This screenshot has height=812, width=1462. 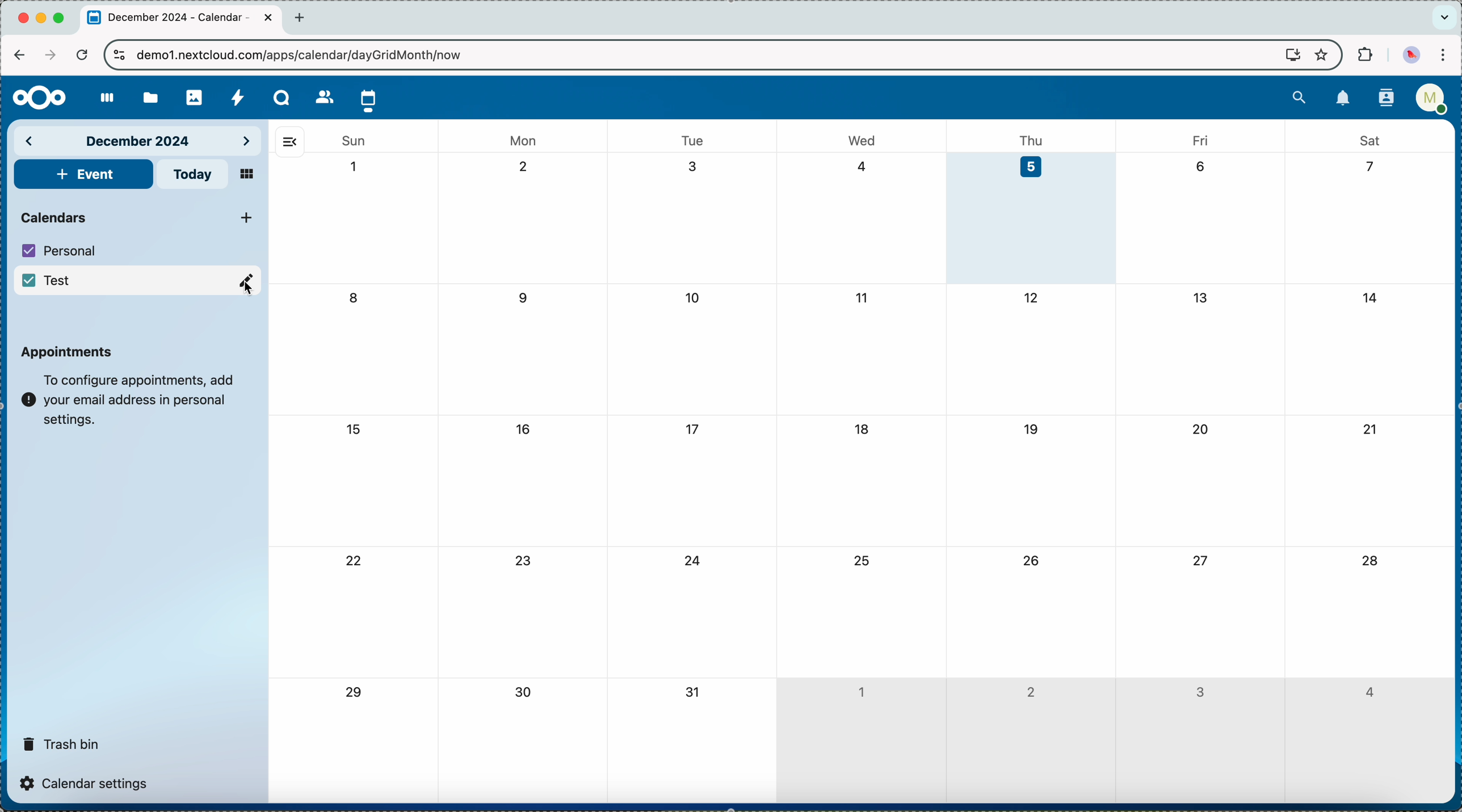 What do you see at coordinates (1369, 562) in the screenshot?
I see `28` at bounding box center [1369, 562].